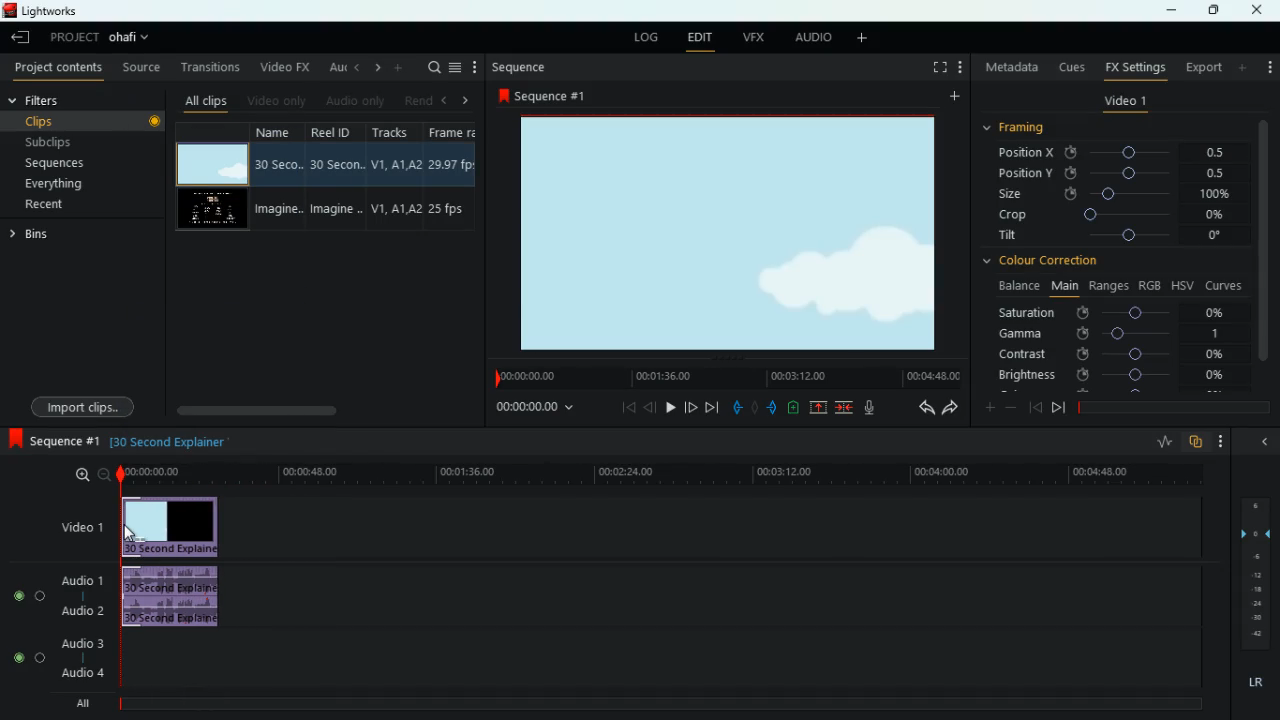 Image resolution: width=1280 pixels, height=720 pixels. Describe the element at coordinates (1203, 66) in the screenshot. I see `export` at that location.